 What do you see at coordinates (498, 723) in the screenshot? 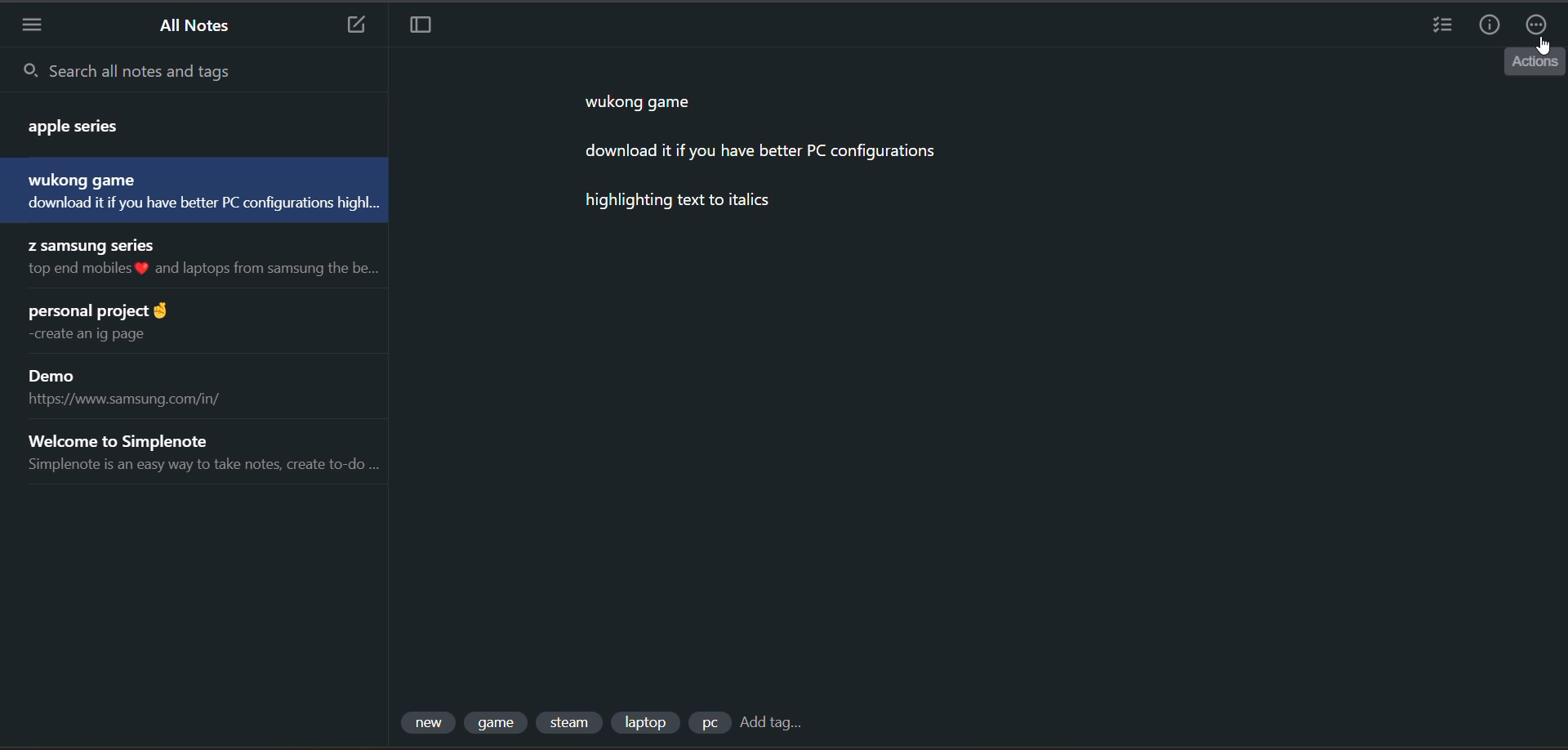
I see `tag 2` at bounding box center [498, 723].